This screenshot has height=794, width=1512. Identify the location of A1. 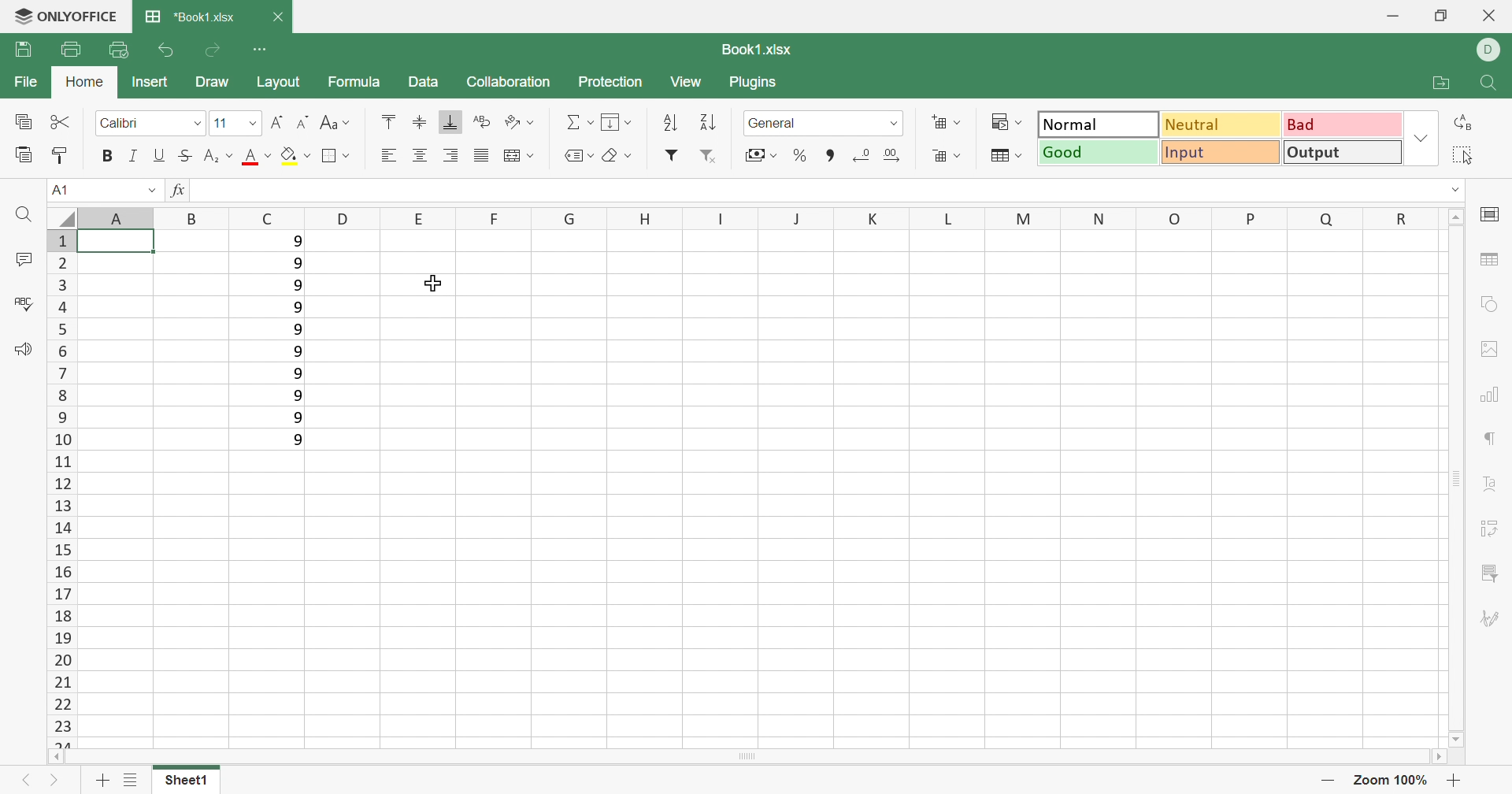
(61, 191).